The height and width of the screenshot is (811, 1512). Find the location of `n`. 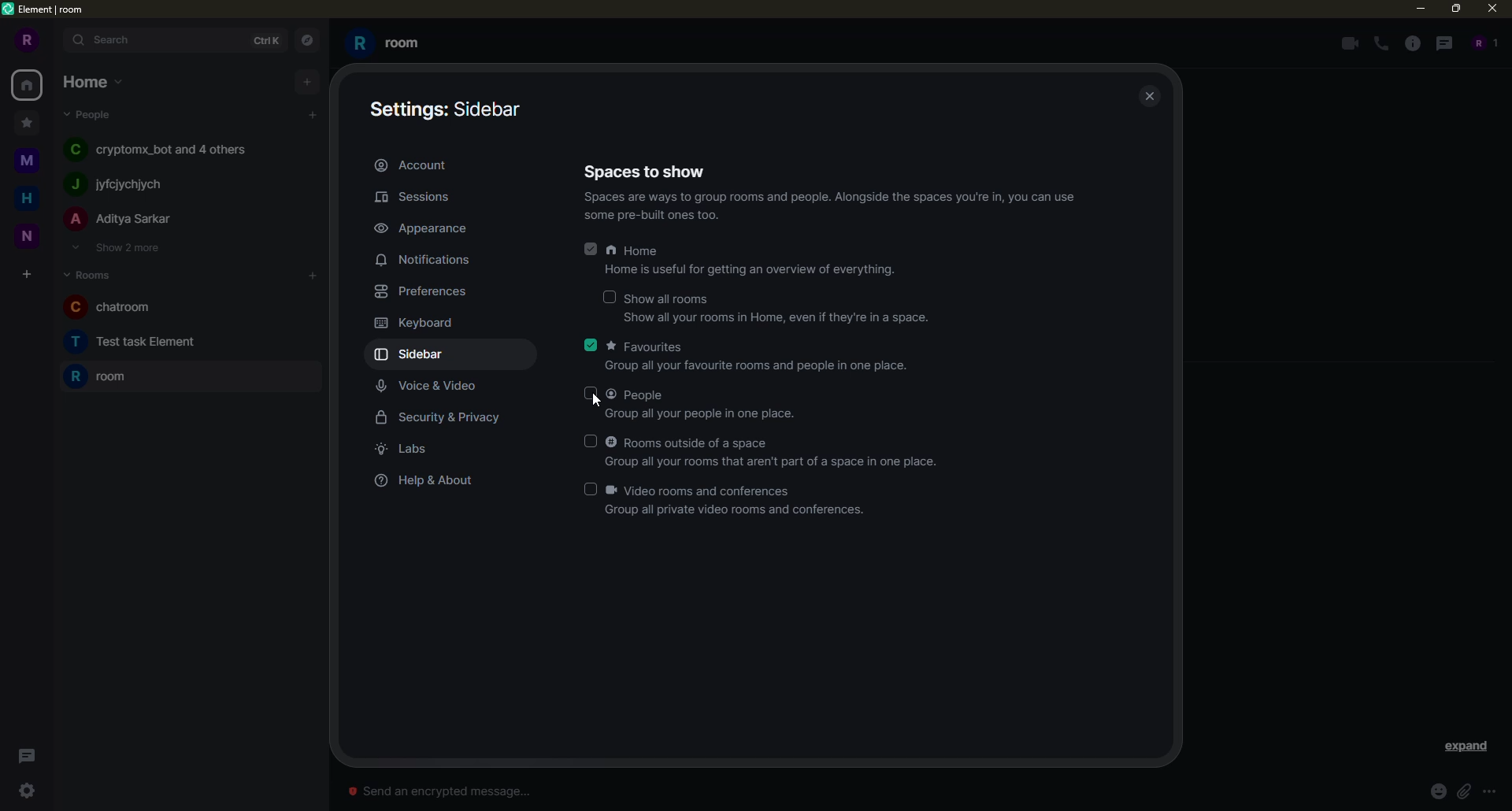

n is located at coordinates (26, 198).